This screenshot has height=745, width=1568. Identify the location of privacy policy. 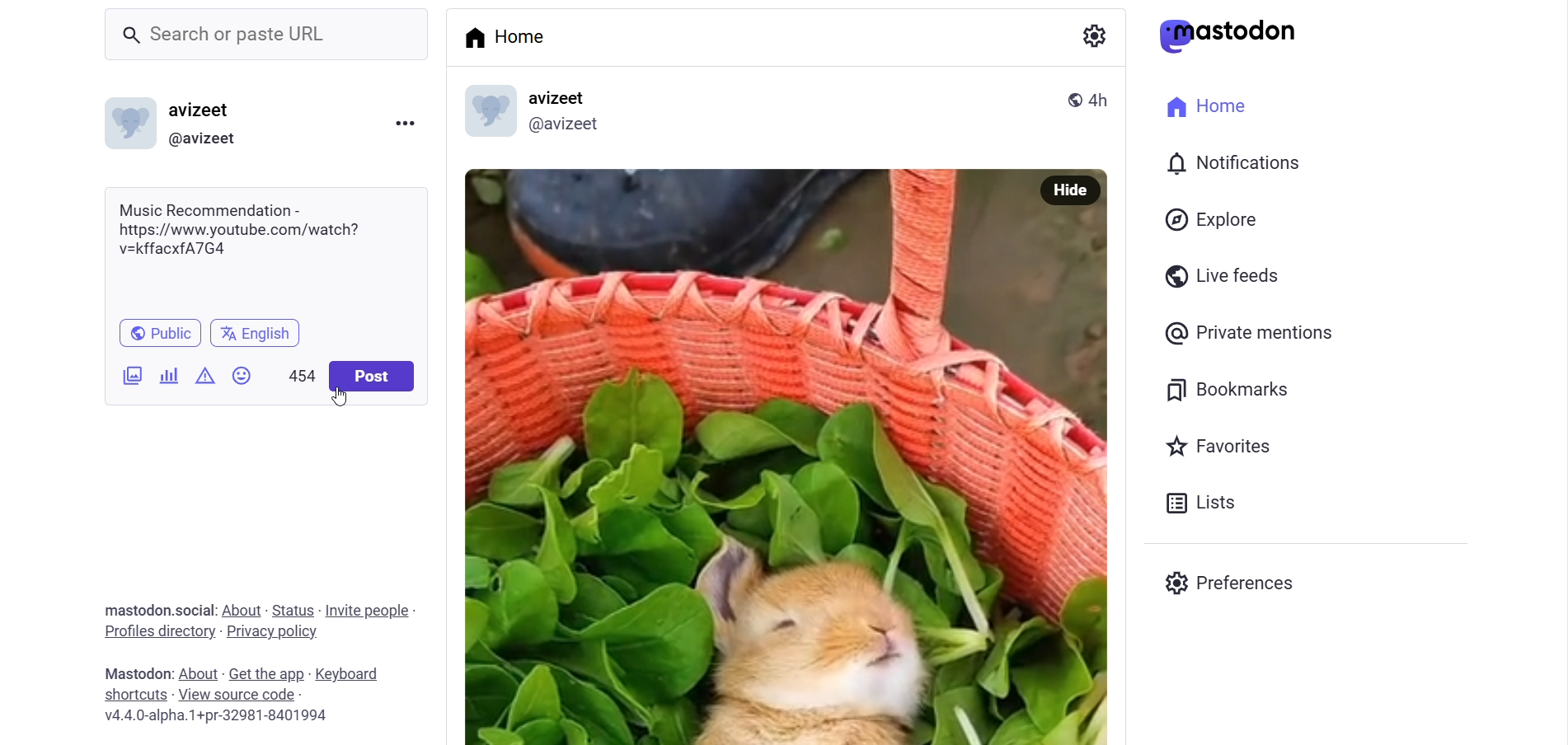
(272, 635).